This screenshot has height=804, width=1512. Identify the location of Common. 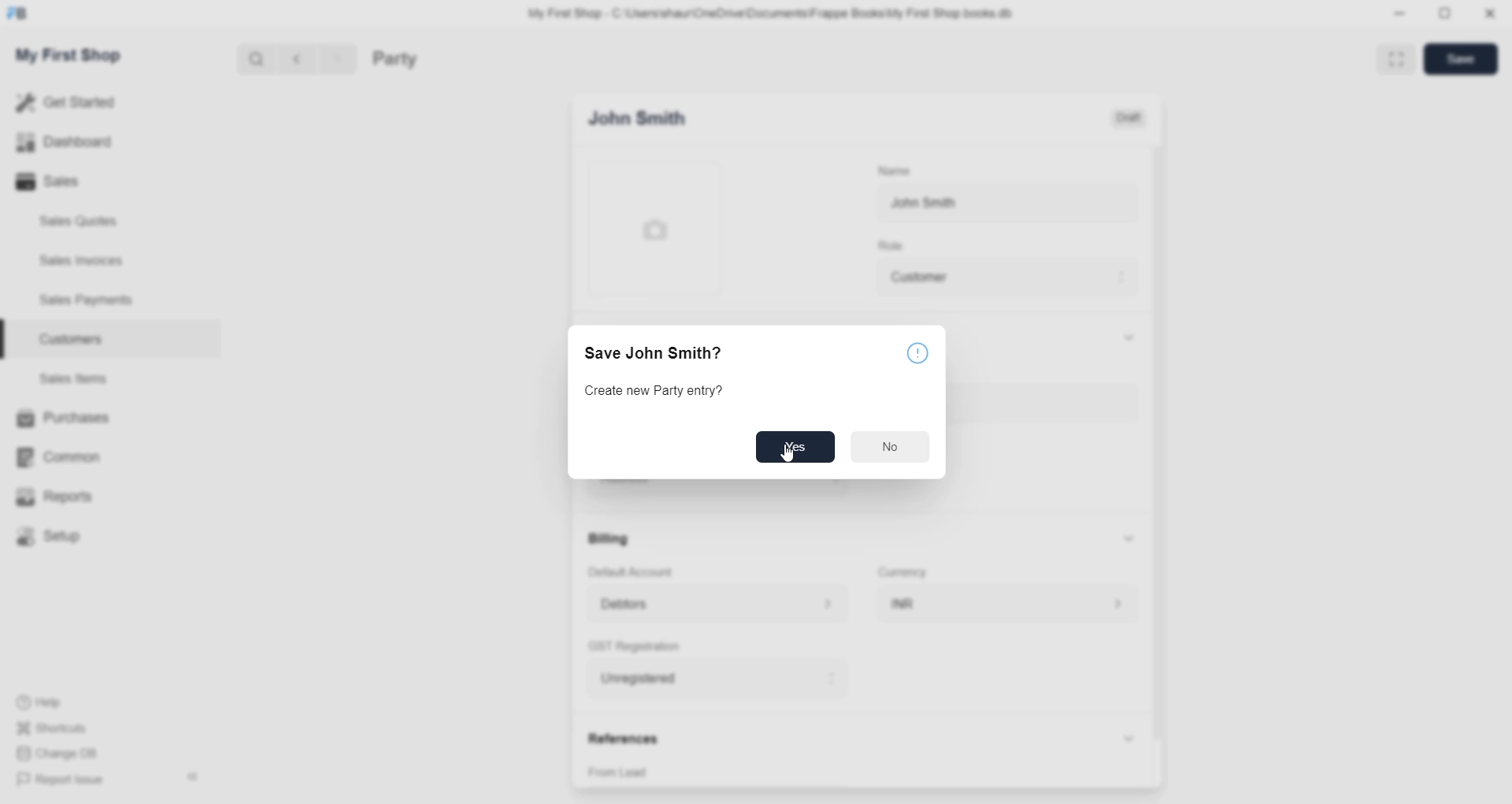
(61, 458).